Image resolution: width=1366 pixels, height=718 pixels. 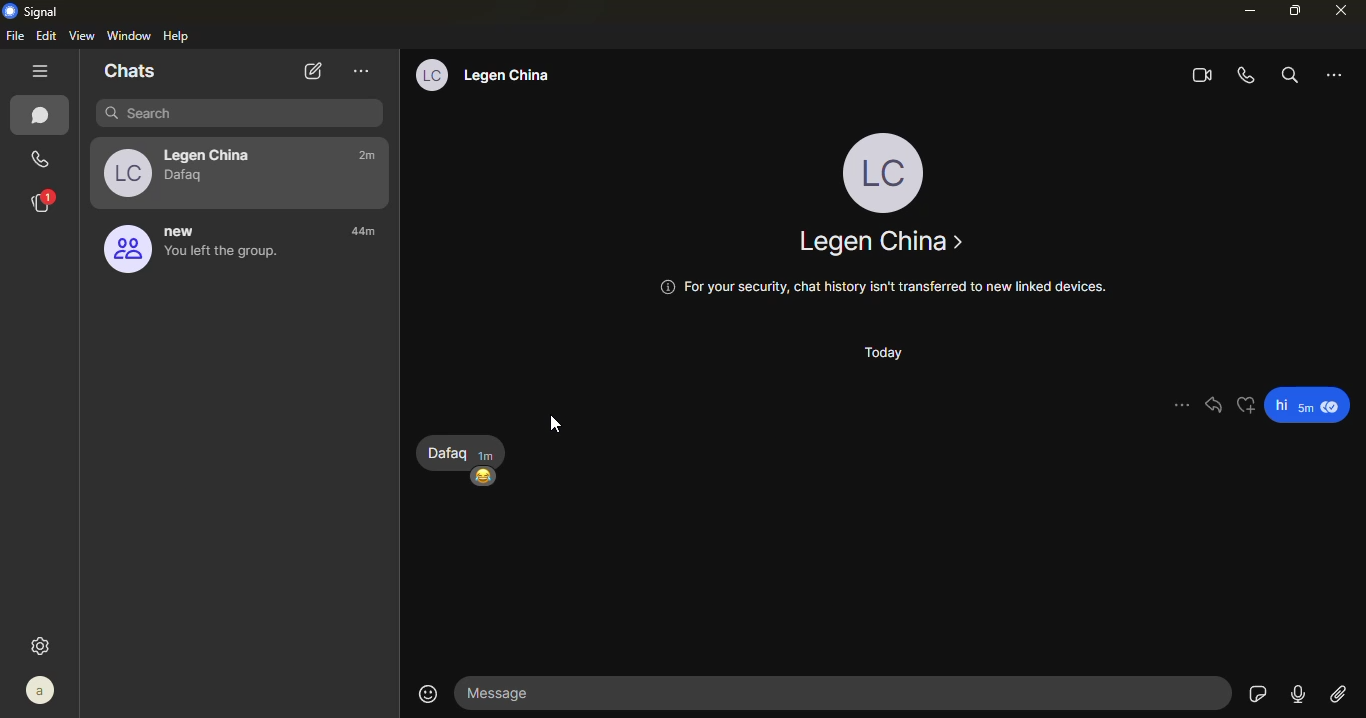 I want to click on lc profile, so click(x=430, y=75).